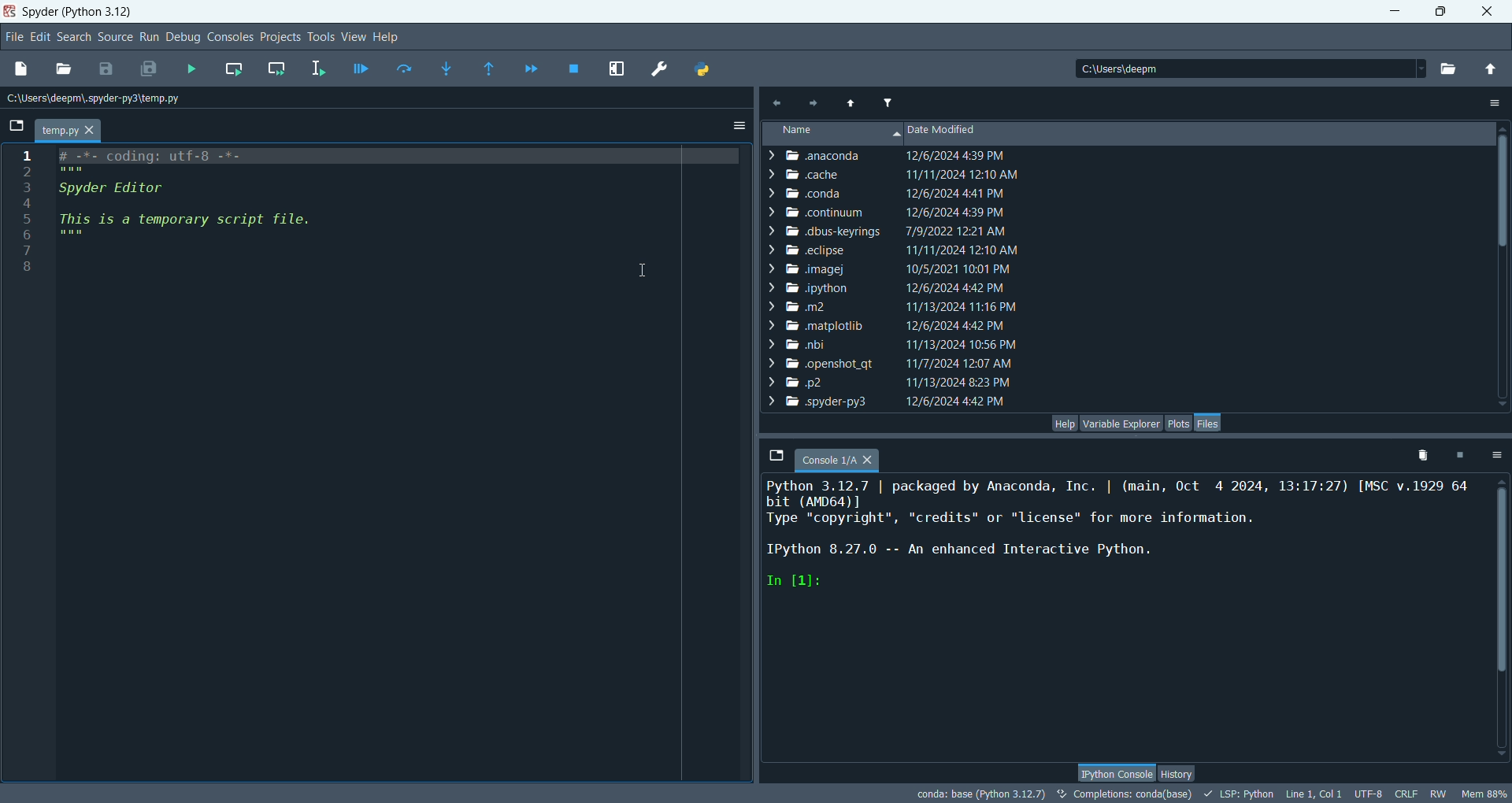  I want to click on script file, so click(194, 203).